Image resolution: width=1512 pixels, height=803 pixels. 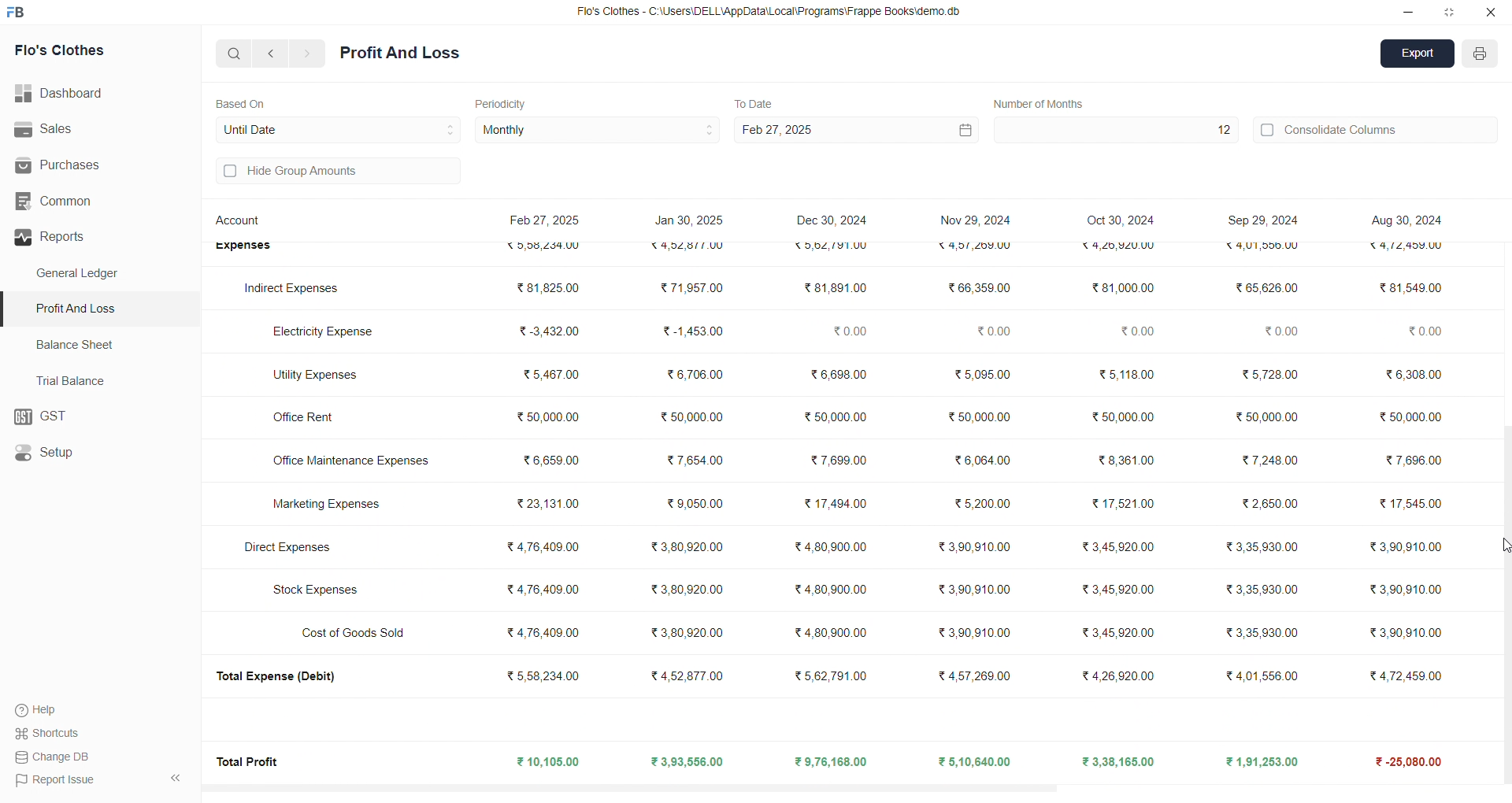 What do you see at coordinates (548, 503) in the screenshot?
I see `₹23,131.00` at bounding box center [548, 503].